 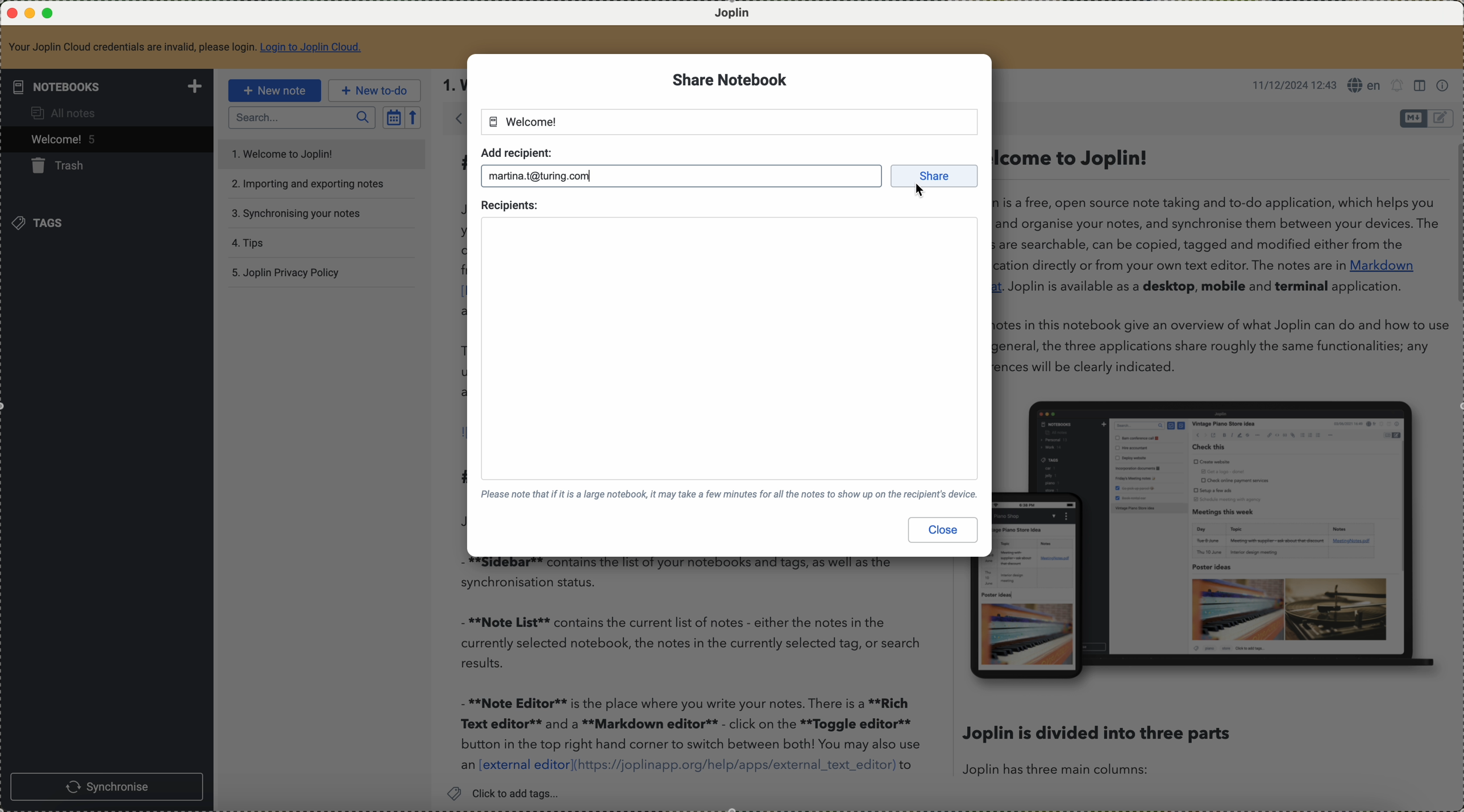 I want to click on notebooks, so click(x=110, y=86).